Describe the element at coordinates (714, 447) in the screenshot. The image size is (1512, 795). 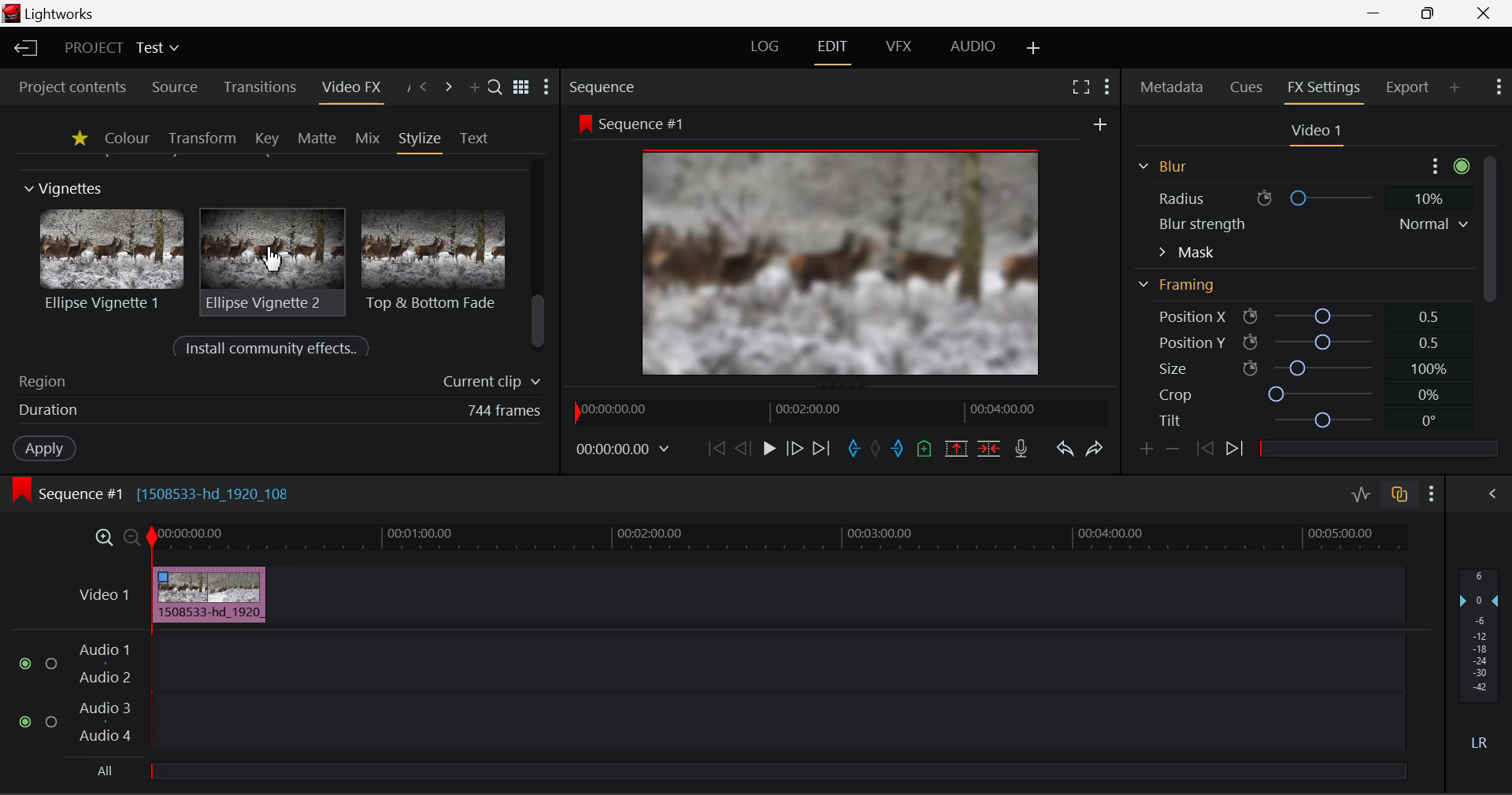
I see `To Start` at that location.